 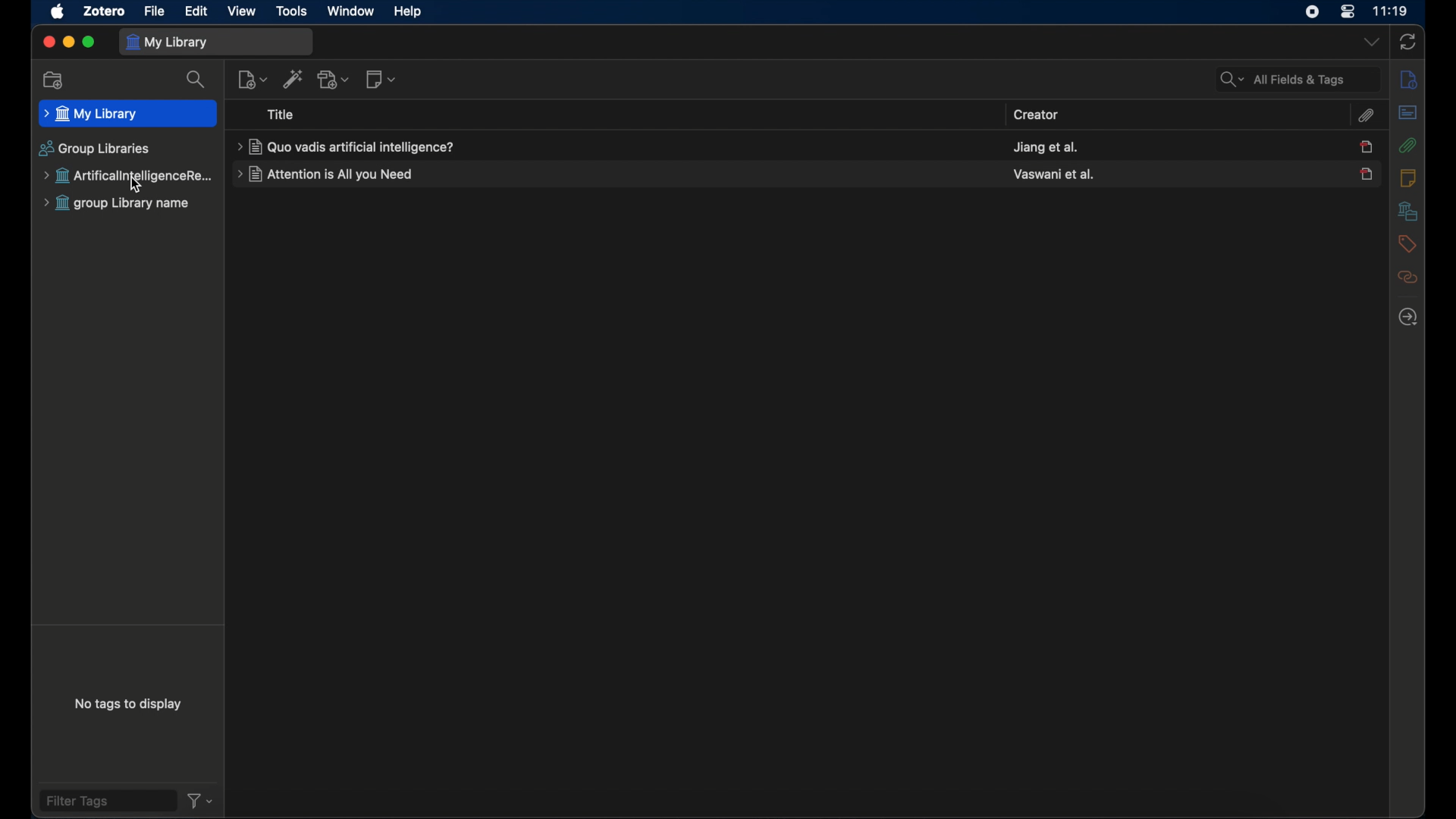 What do you see at coordinates (1407, 317) in the screenshot?
I see `locate` at bounding box center [1407, 317].